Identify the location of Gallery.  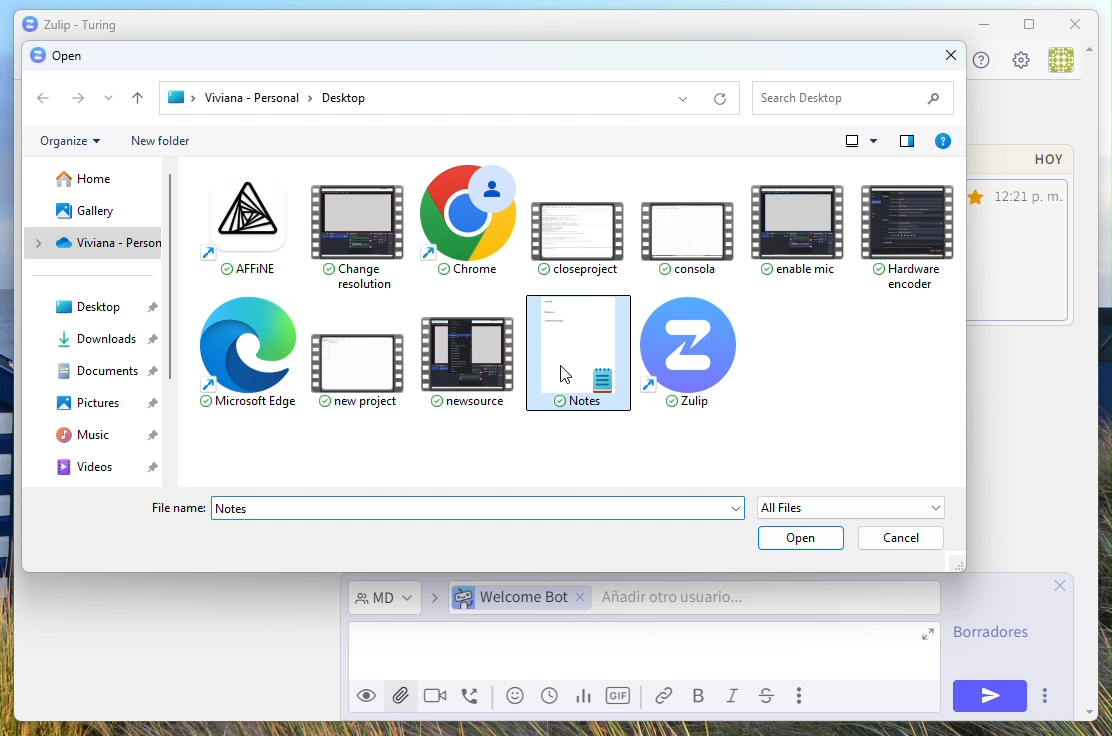
(89, 210).